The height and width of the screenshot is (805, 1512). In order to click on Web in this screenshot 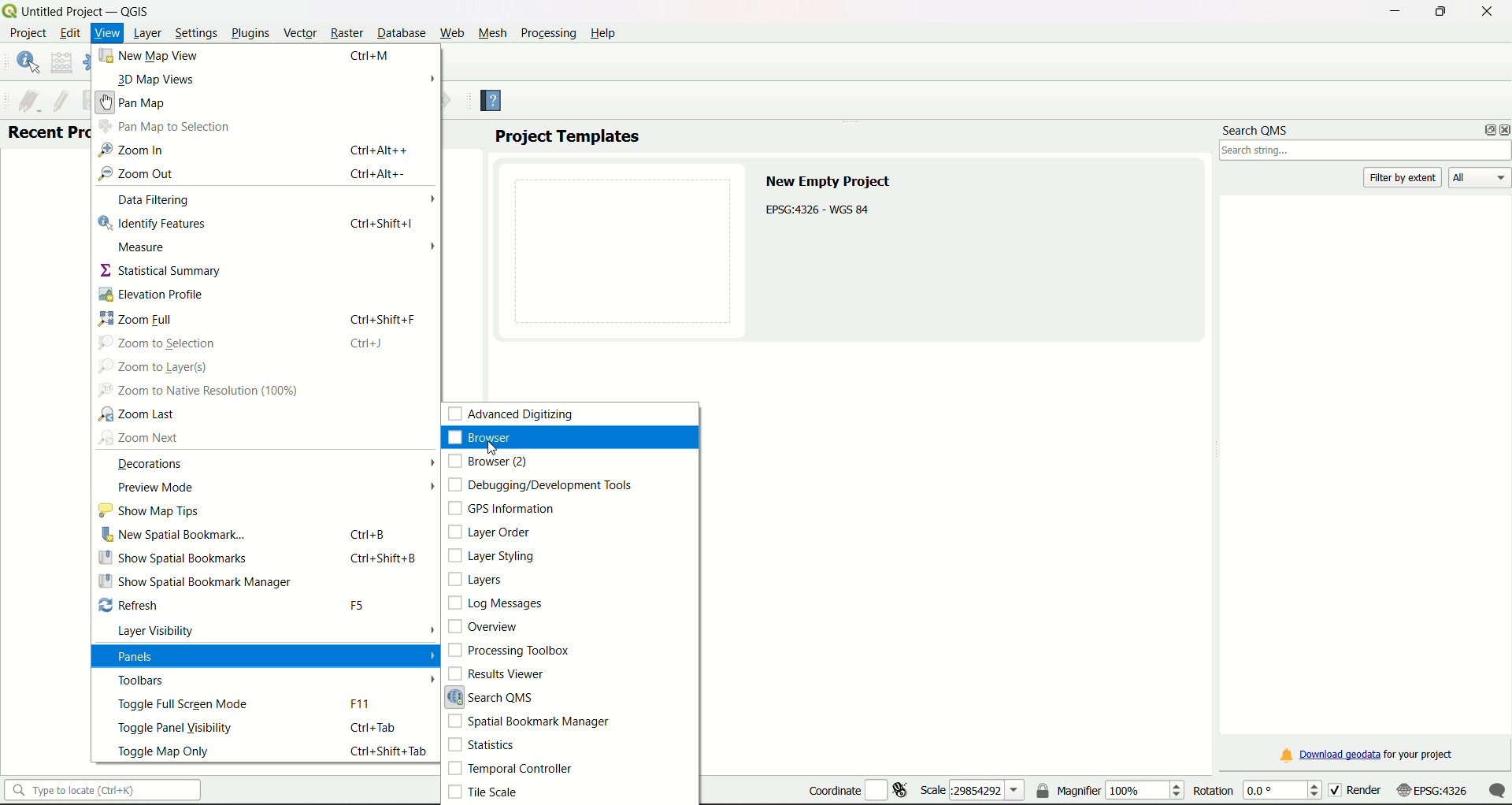, I will do `click(452, 33)`.